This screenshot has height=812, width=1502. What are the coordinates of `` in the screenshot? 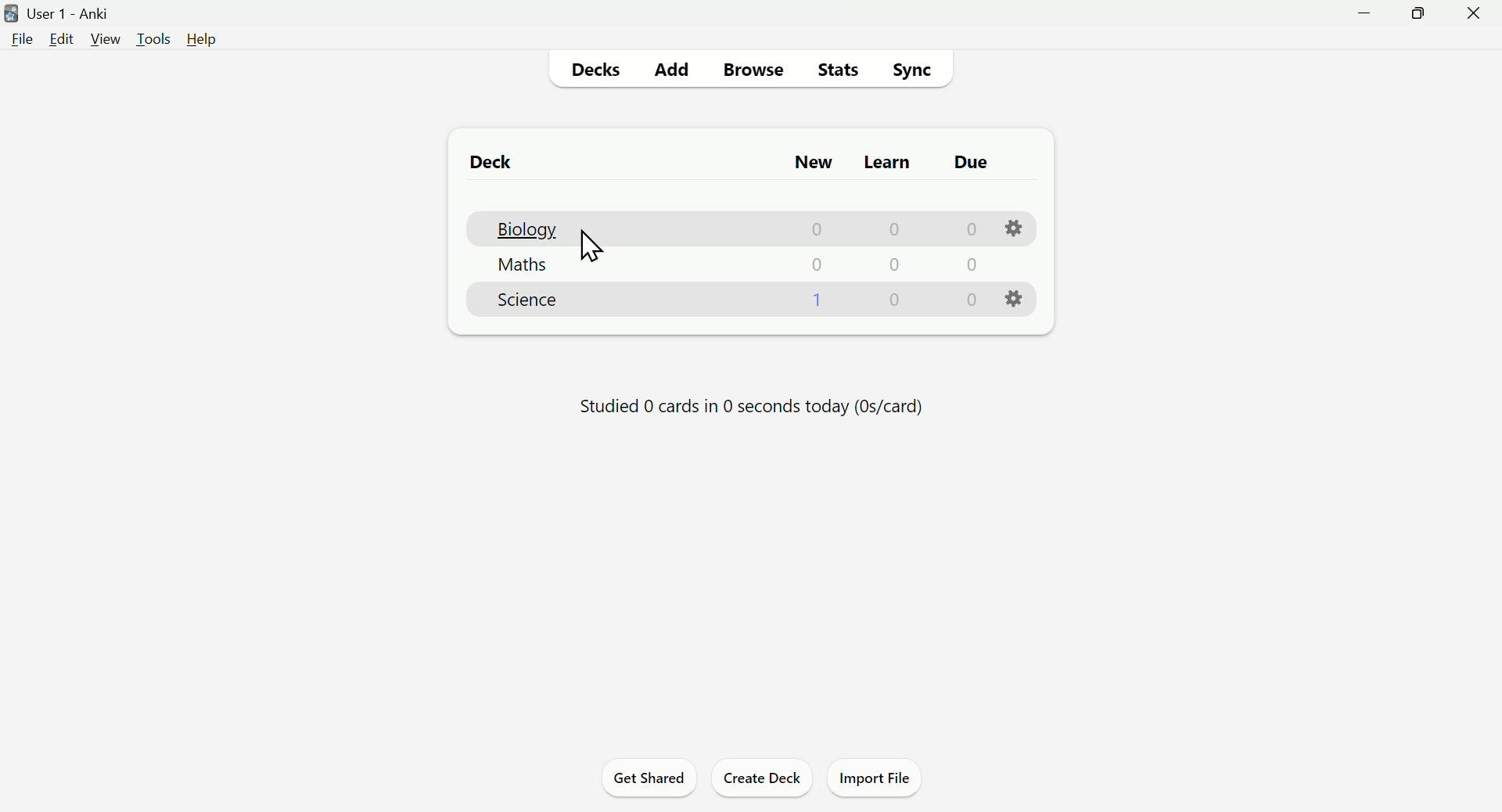 It's located at (1418, 16).